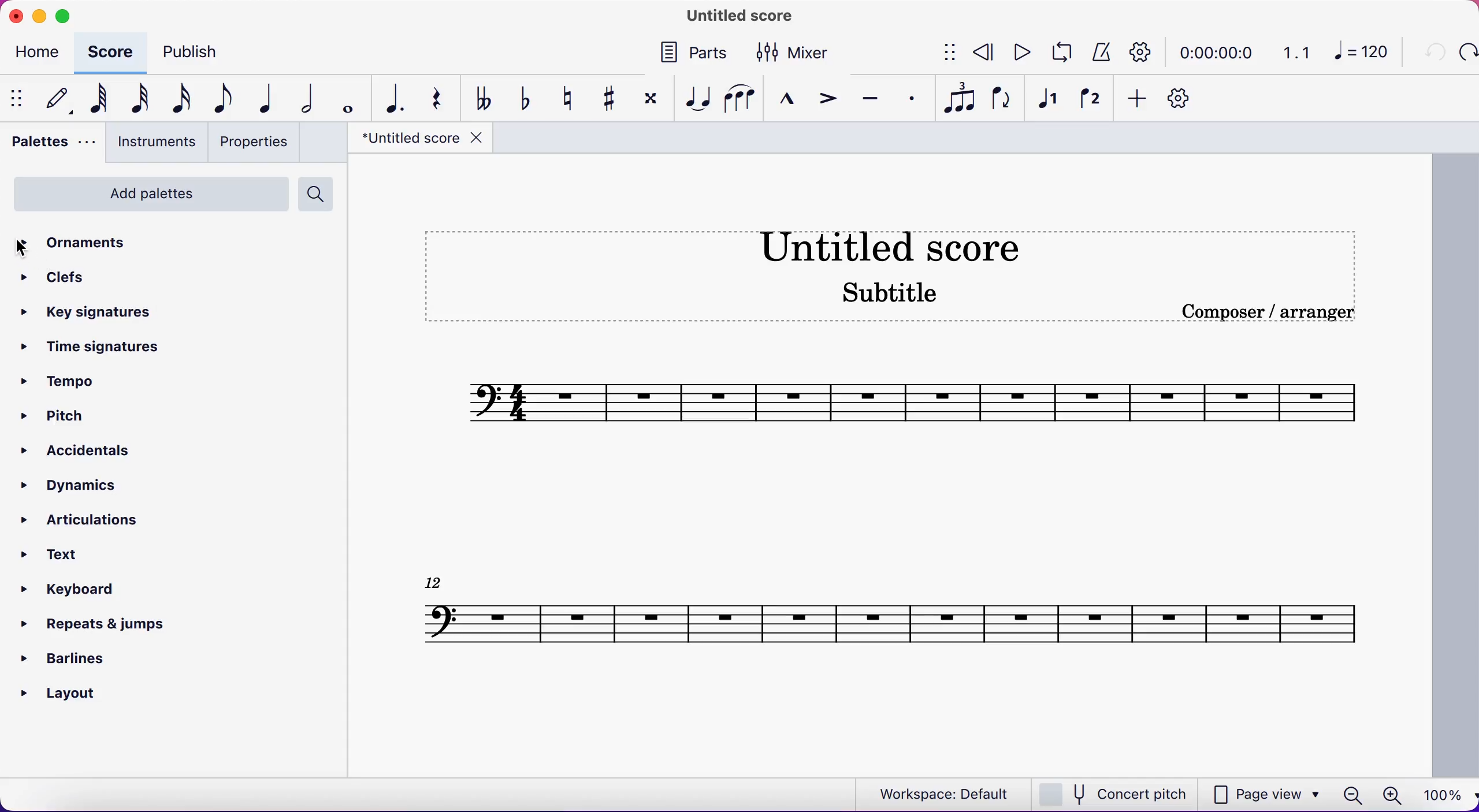  I want to click on zoom out, so click(1351, 795).